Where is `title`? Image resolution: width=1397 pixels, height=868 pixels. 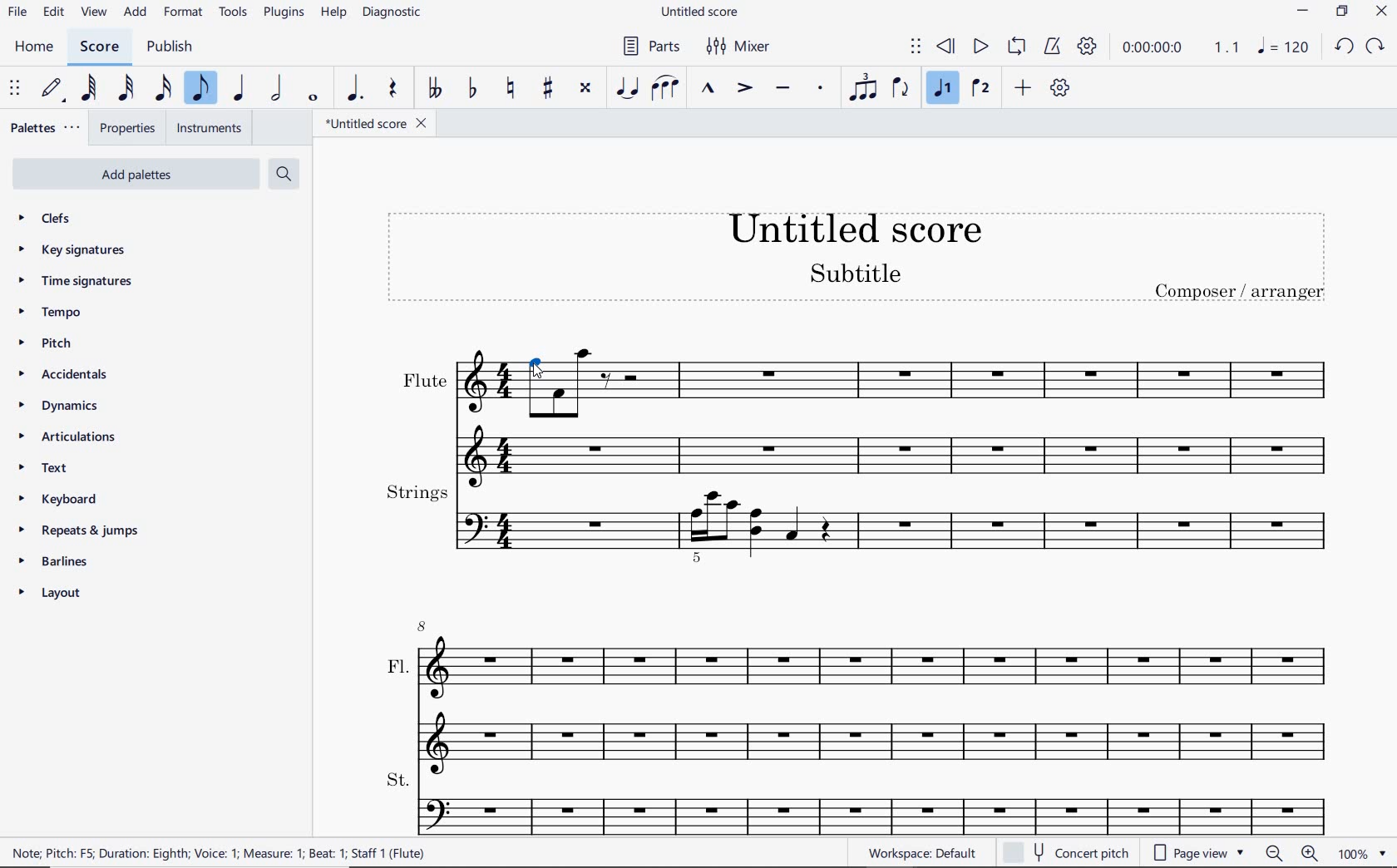
title is located at coordinates (861, 263).